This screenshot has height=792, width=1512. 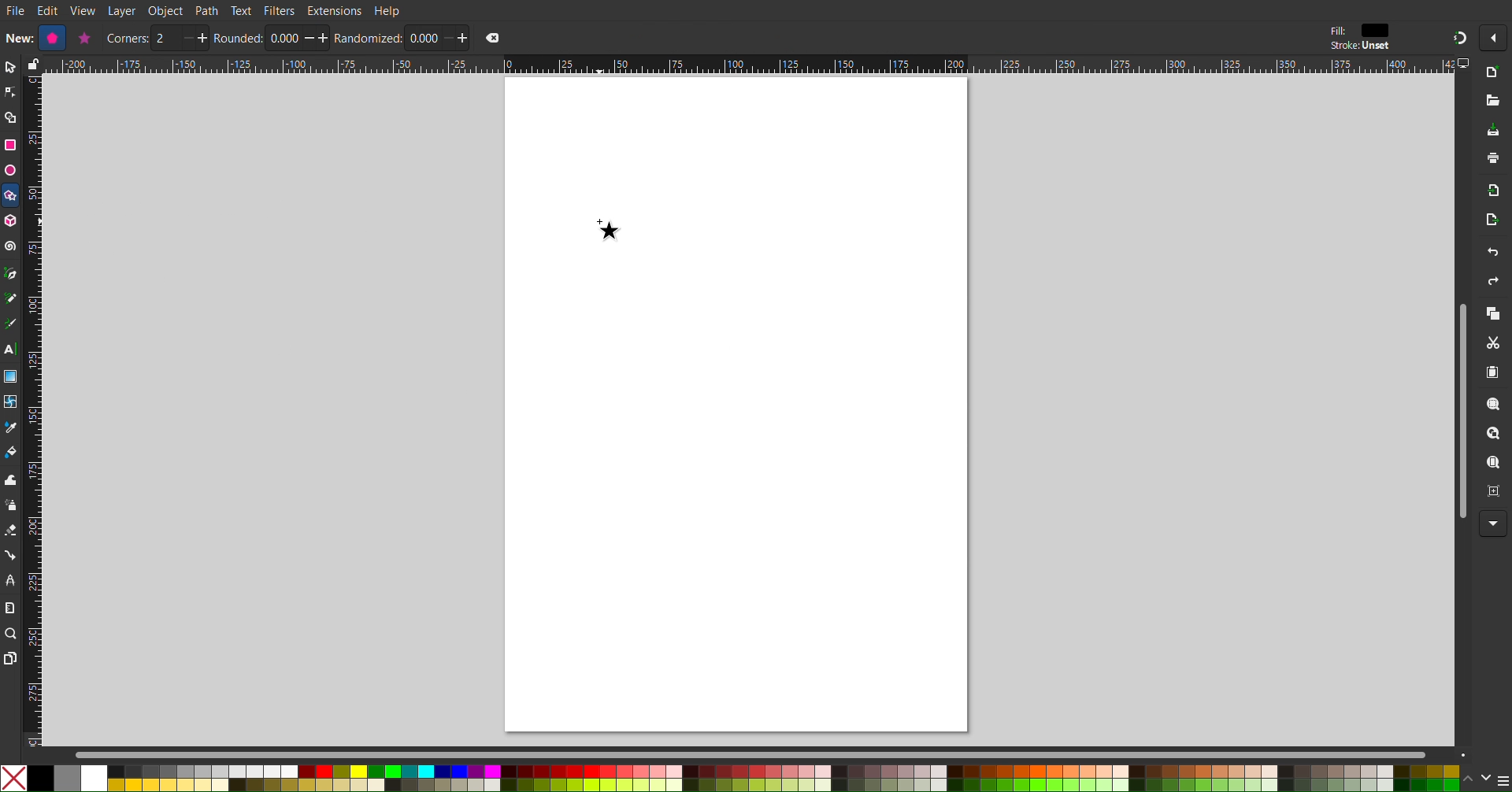 I want to click on Snapping, so click(x=1458, y=37).